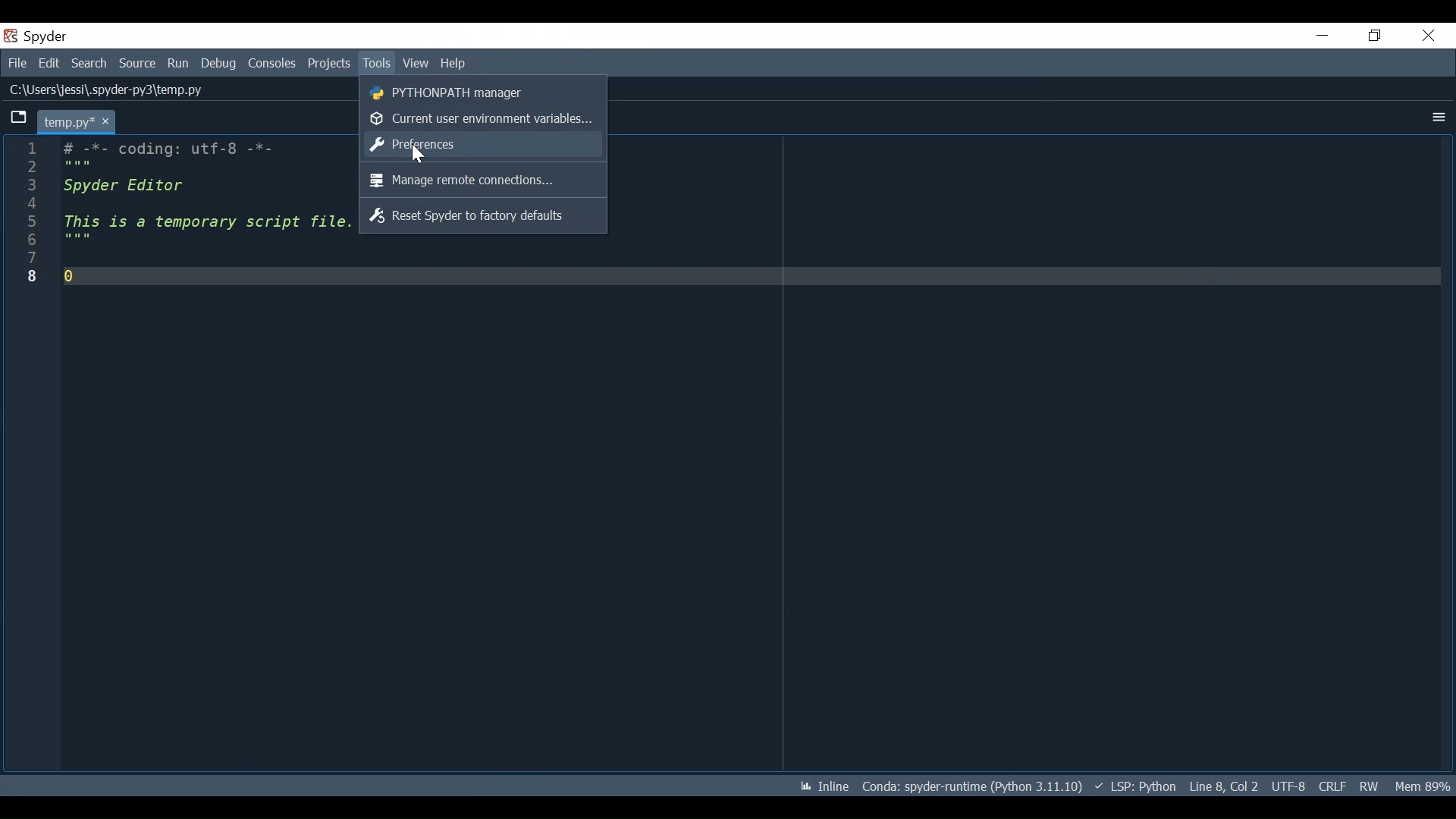 The image size is (1456, 819). Describe the element at coordinates (1334, 786) in the screenshot. I see `File EQL Status` at that location.